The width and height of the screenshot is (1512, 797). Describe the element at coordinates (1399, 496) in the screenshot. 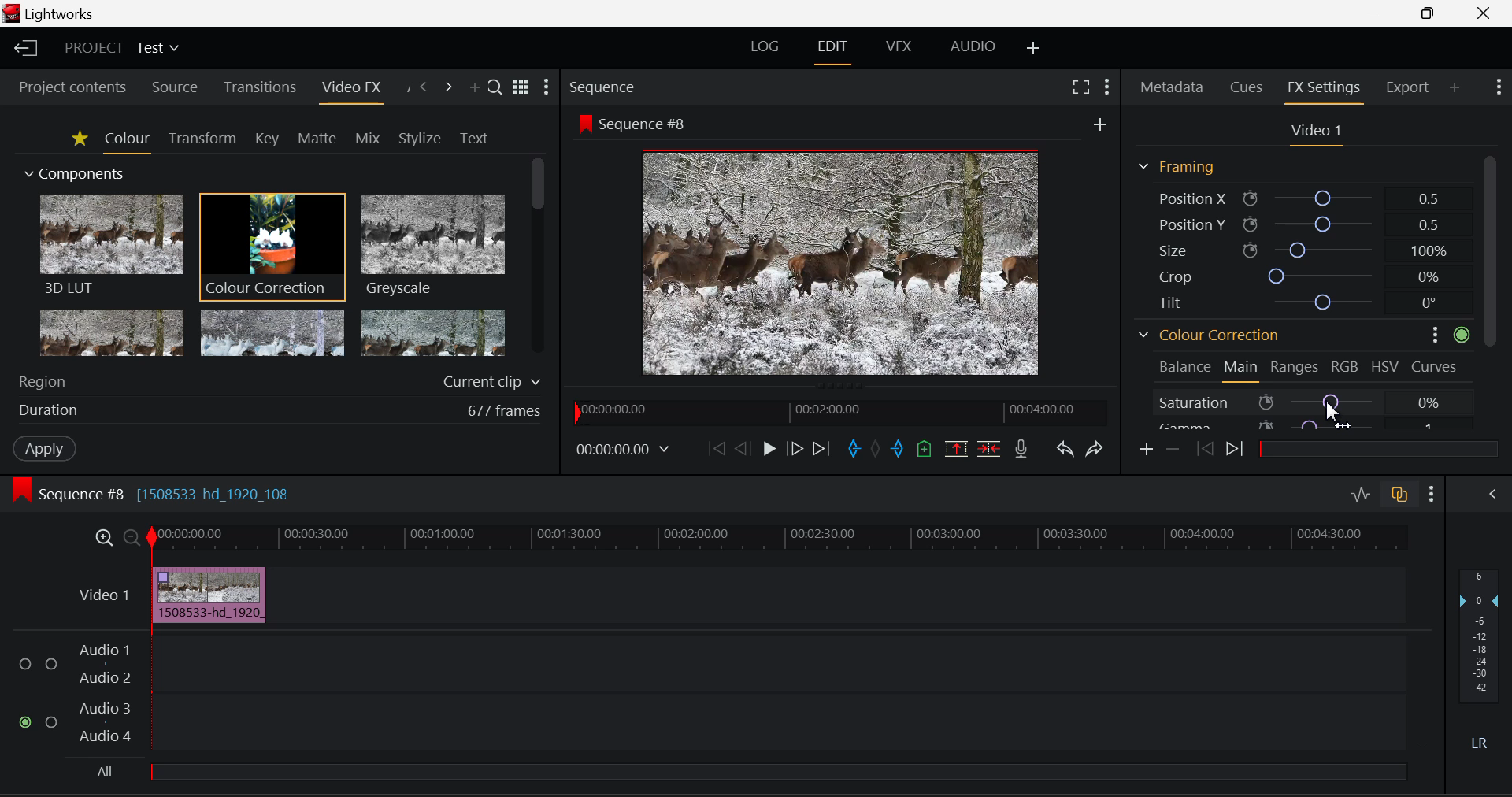

I see `Toggle Auto Track Sync` at that location.